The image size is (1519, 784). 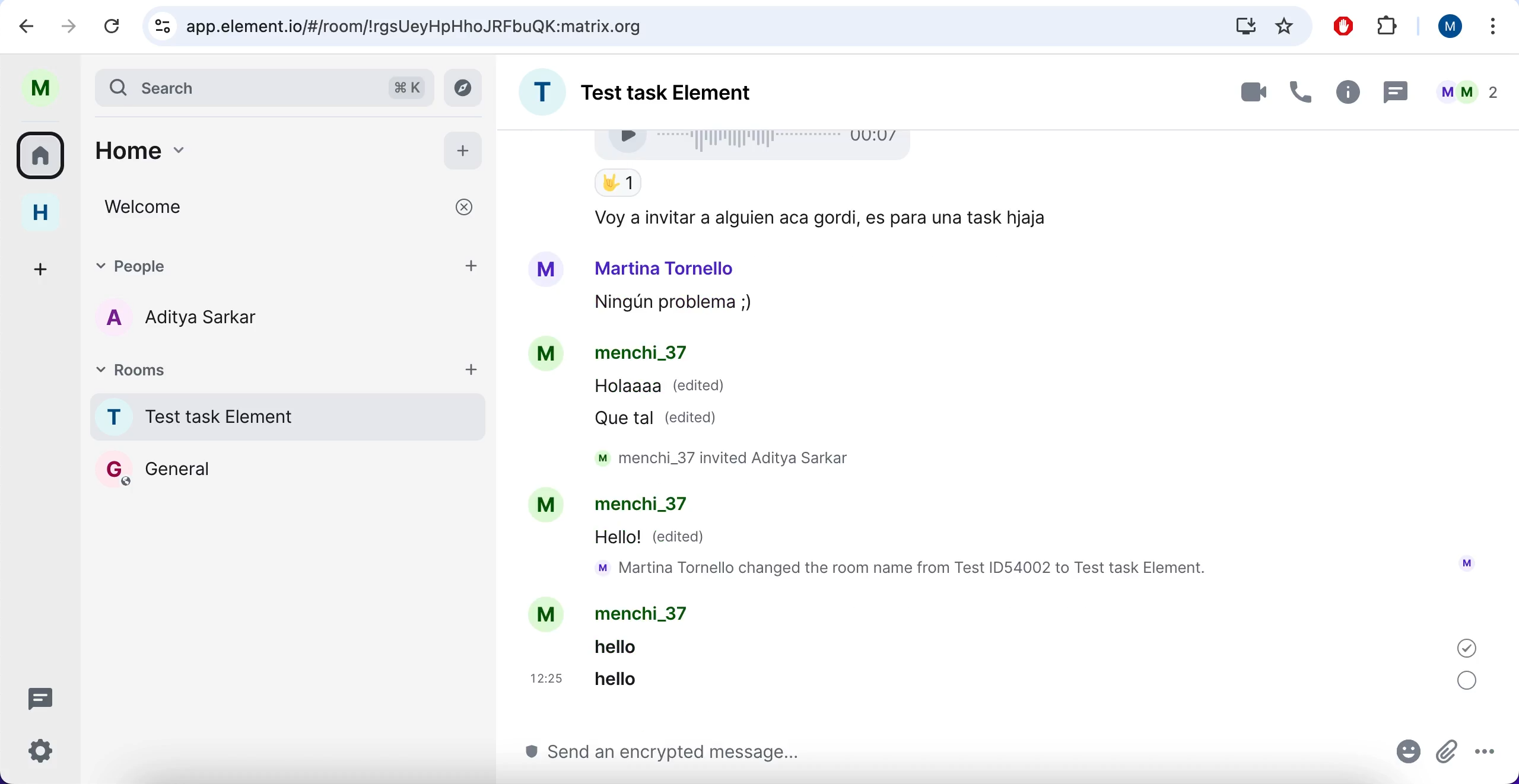 I want to click on thread, so click(x=1394, y=91).